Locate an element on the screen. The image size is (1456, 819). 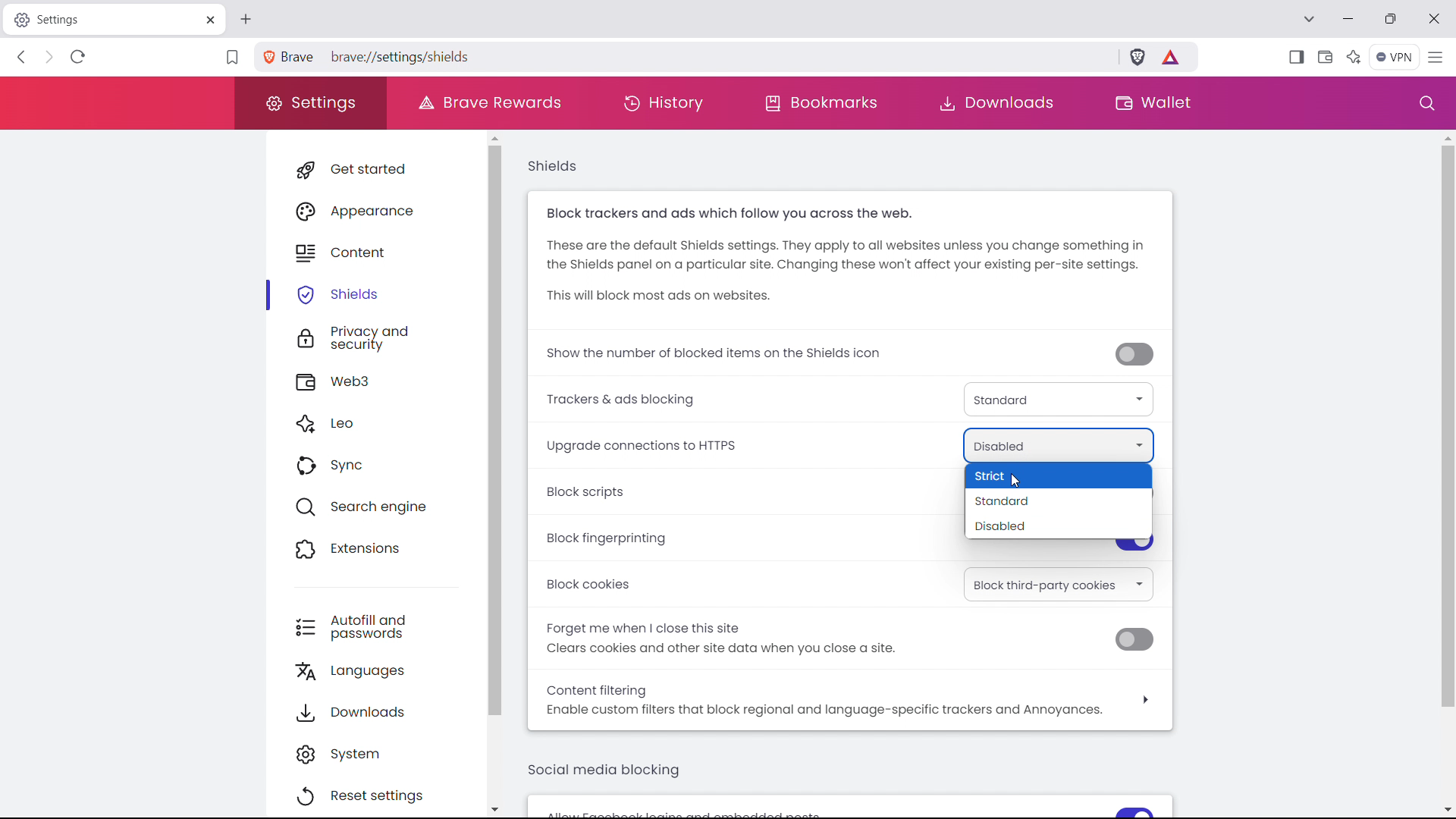
Trackers & ads blocking is located at coordinates (645, 399).